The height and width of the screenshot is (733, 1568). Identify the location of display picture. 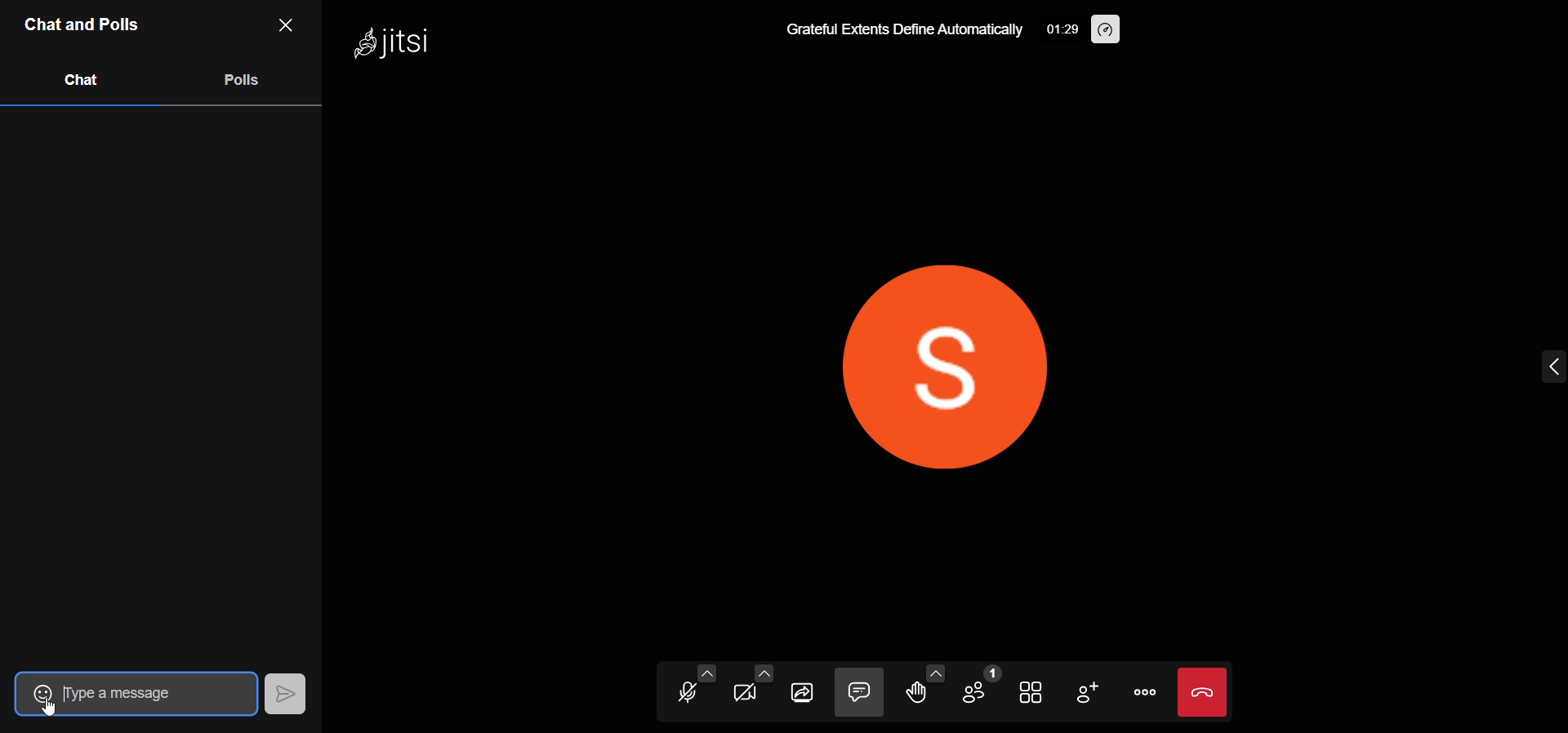
(921, 367).